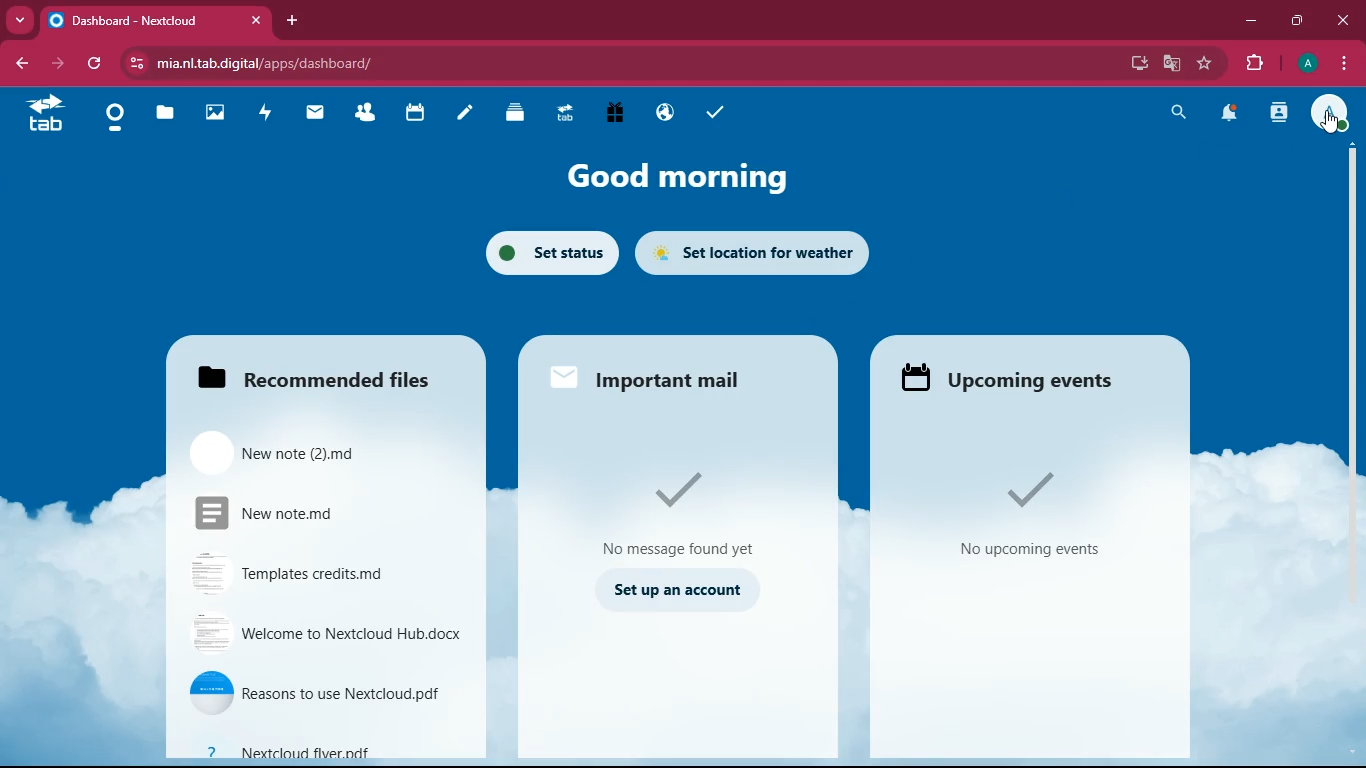  I want to click on desktop, so click(1135, 63).